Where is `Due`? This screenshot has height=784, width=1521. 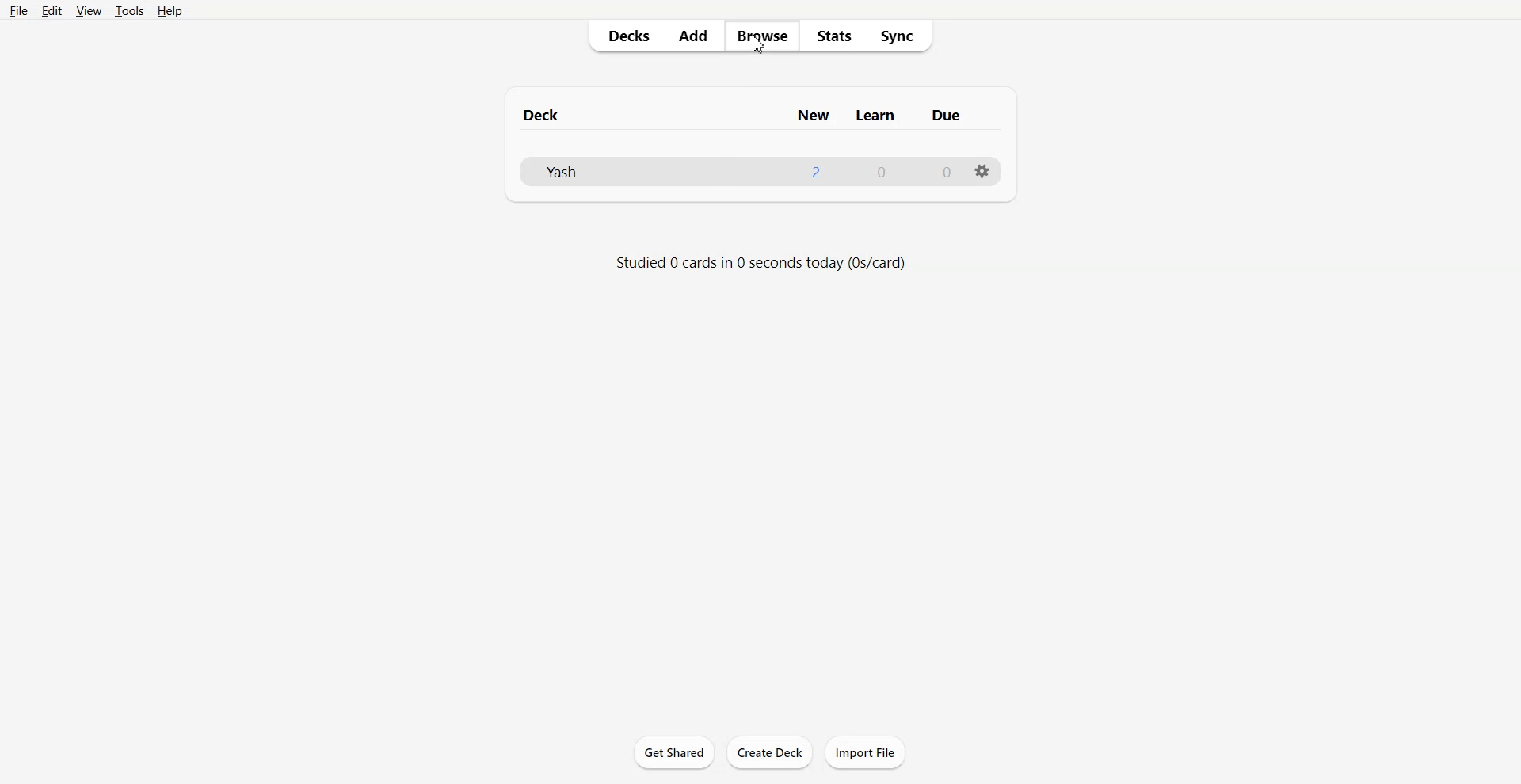
Due is located at coordinates (955, 116).